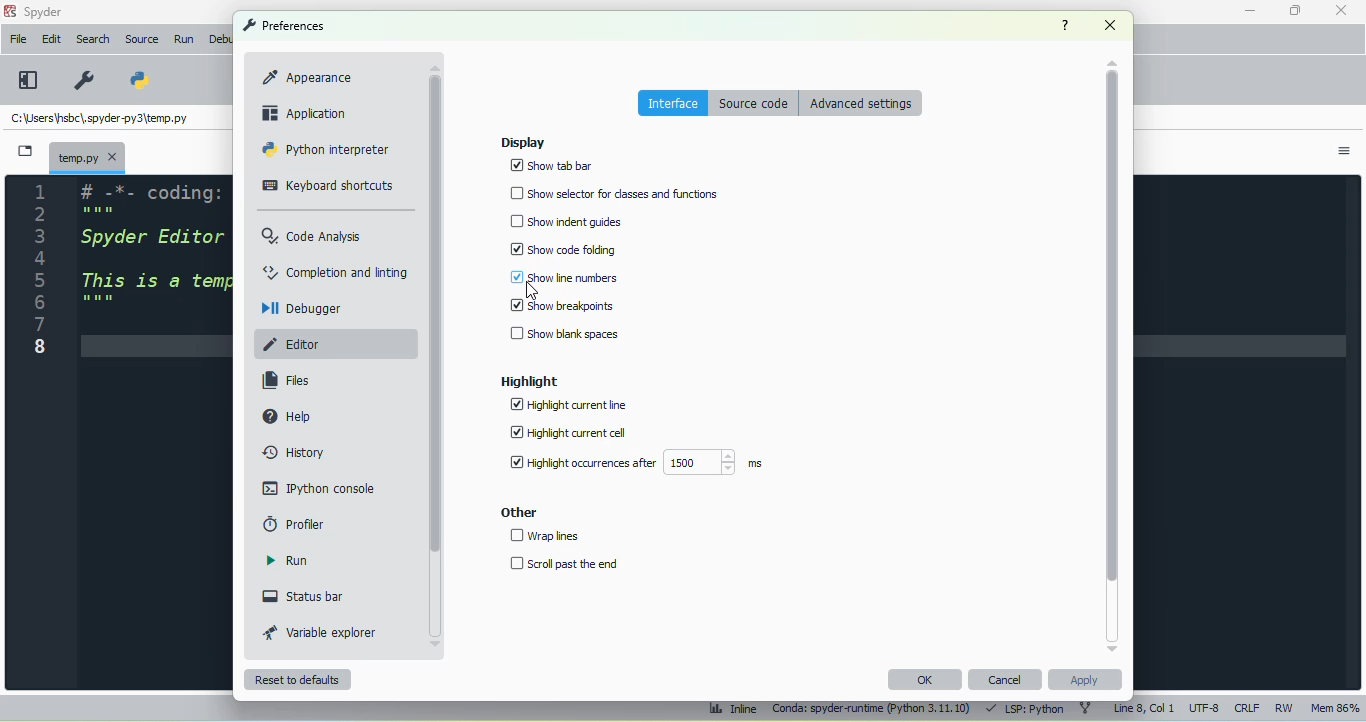 The width and height of the screenshot is (1366, 722). I want to click on status bar, so click(305, 596).